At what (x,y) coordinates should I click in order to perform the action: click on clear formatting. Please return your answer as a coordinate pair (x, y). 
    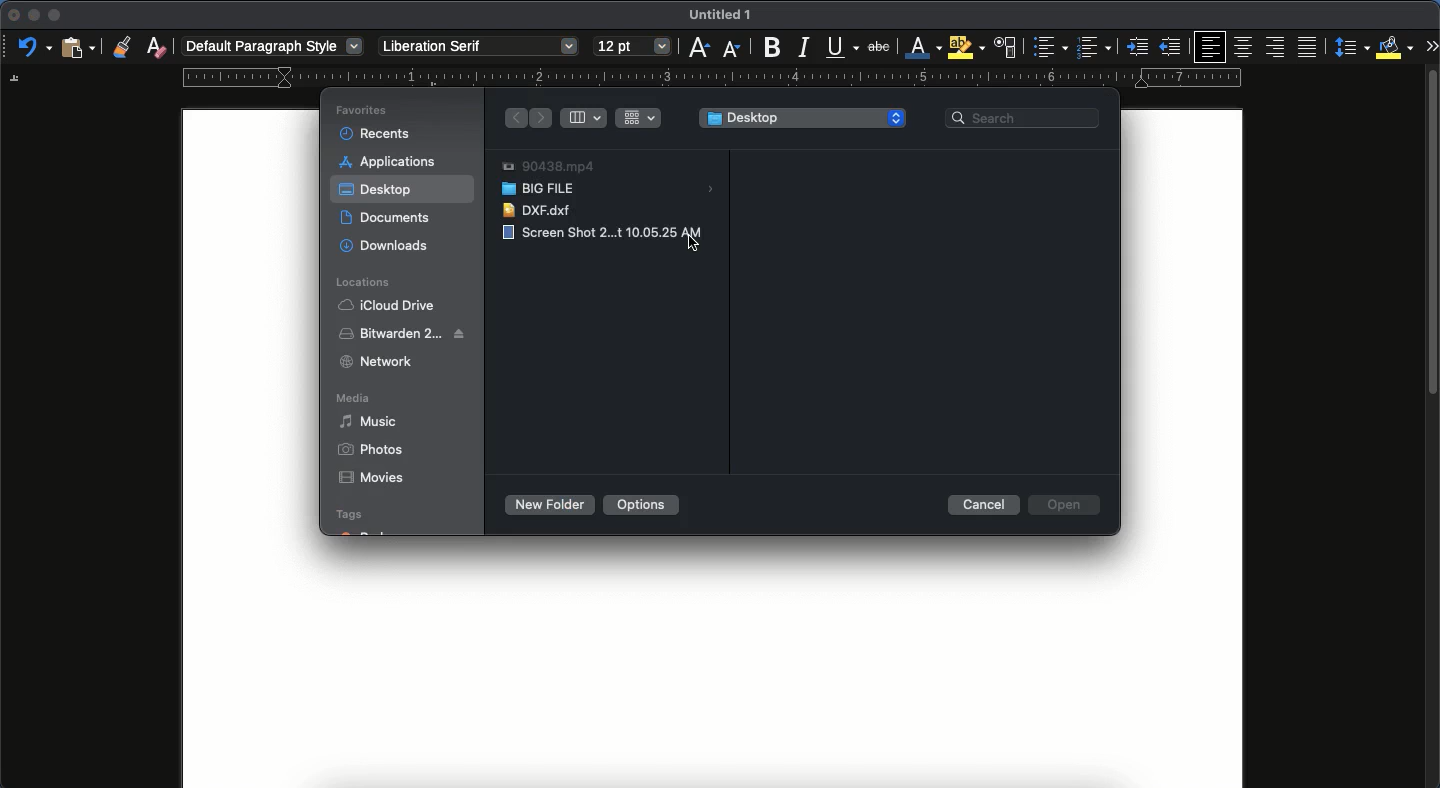
    Looking at the image, I should click on (157, 47).